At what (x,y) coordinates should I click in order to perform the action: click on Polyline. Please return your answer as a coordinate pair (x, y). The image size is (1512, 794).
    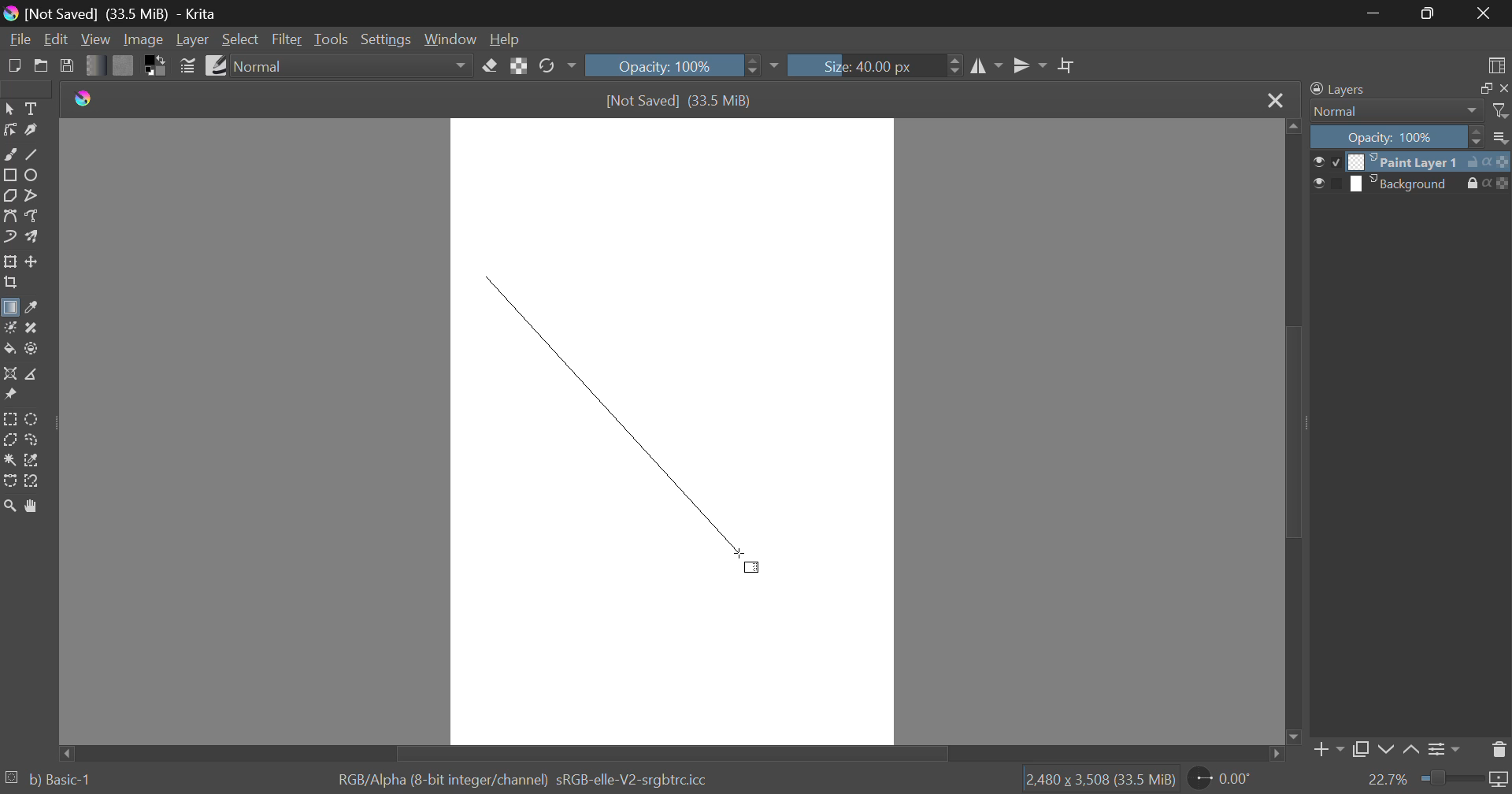
    Looking at the image, I should click on (30, 194).